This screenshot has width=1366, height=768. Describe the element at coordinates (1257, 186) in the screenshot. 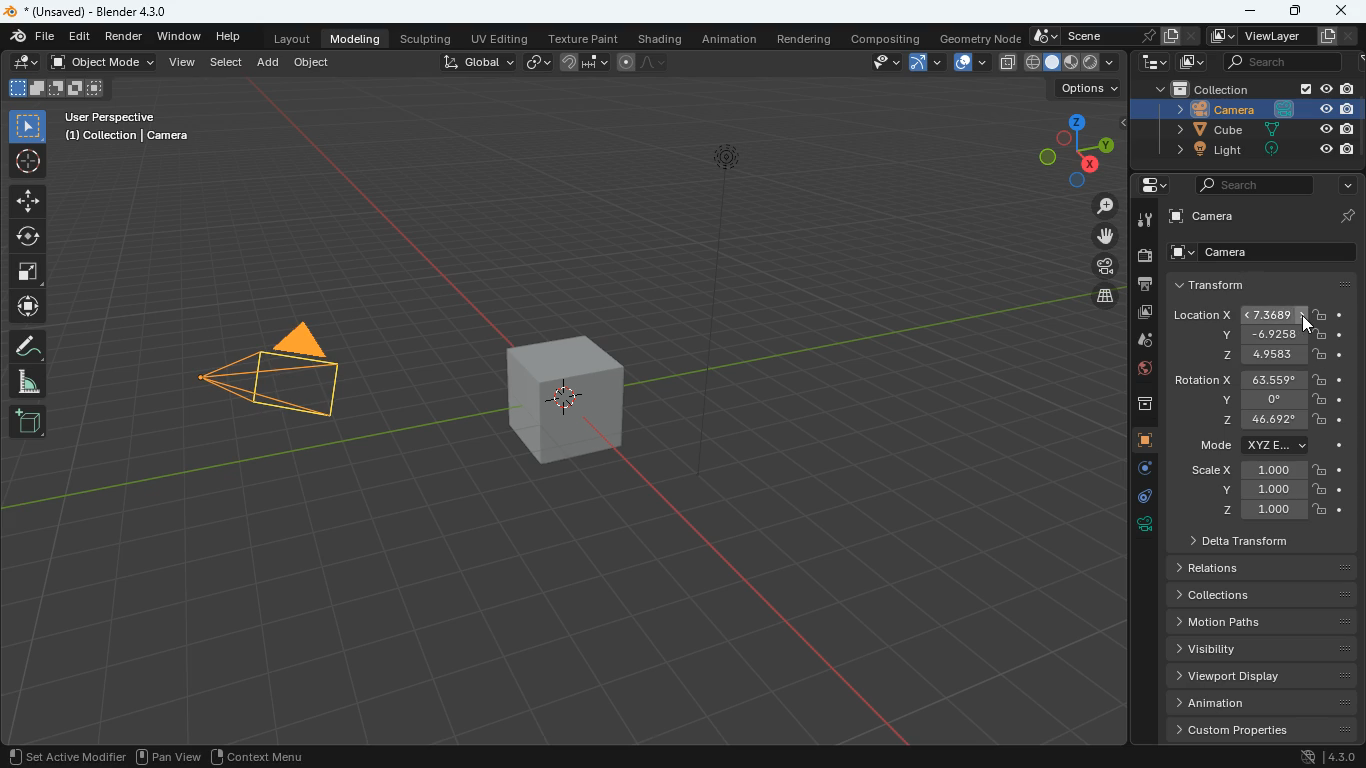

I see `search` at that location.